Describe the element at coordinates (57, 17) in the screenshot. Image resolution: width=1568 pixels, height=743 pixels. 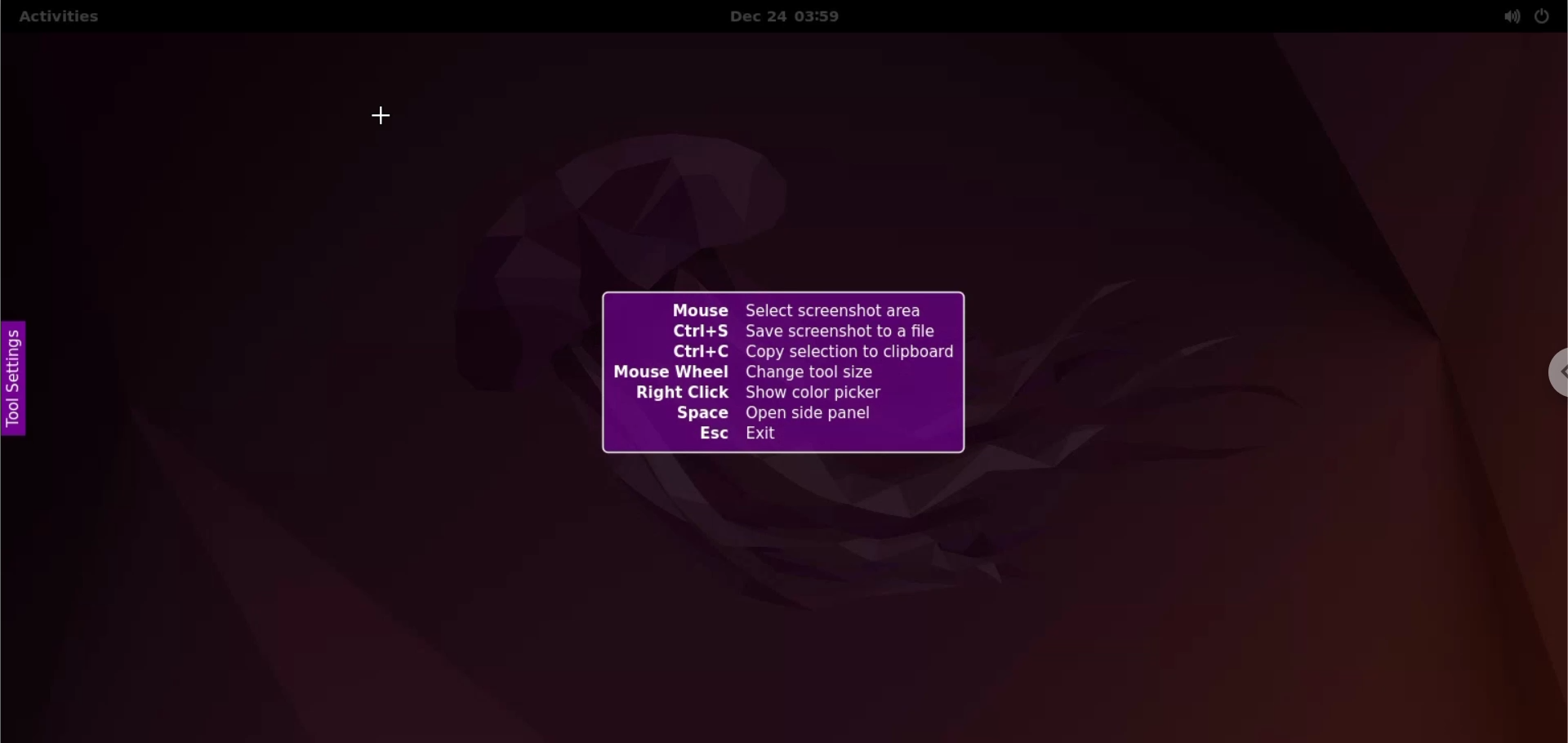
I see `Activities` at that location.